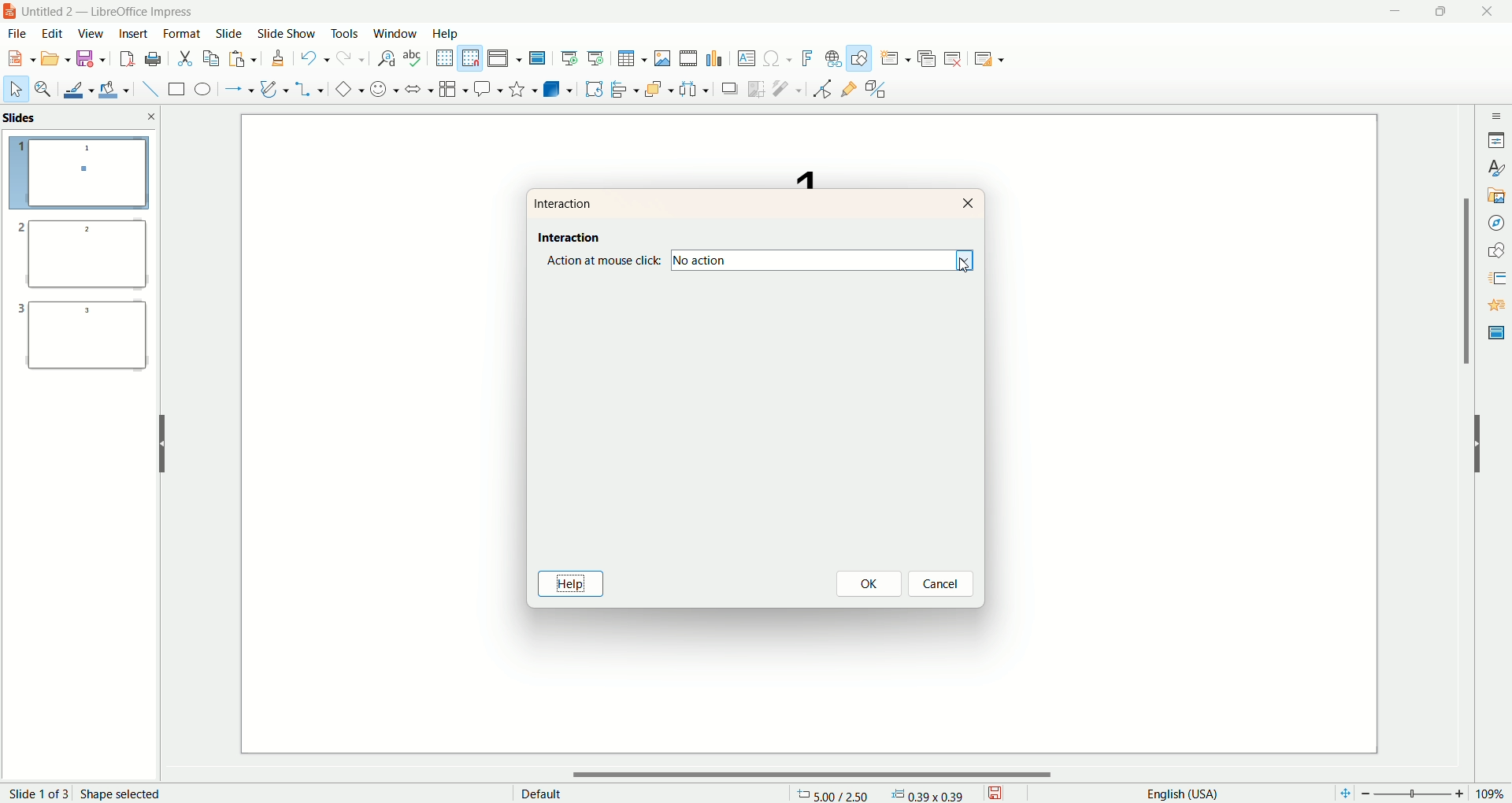 Image resolution: width=1512 pixels, height=803 pixels. Describe the element at coordinates (943, 583) in the screenshot. I see `cancel` at that location.